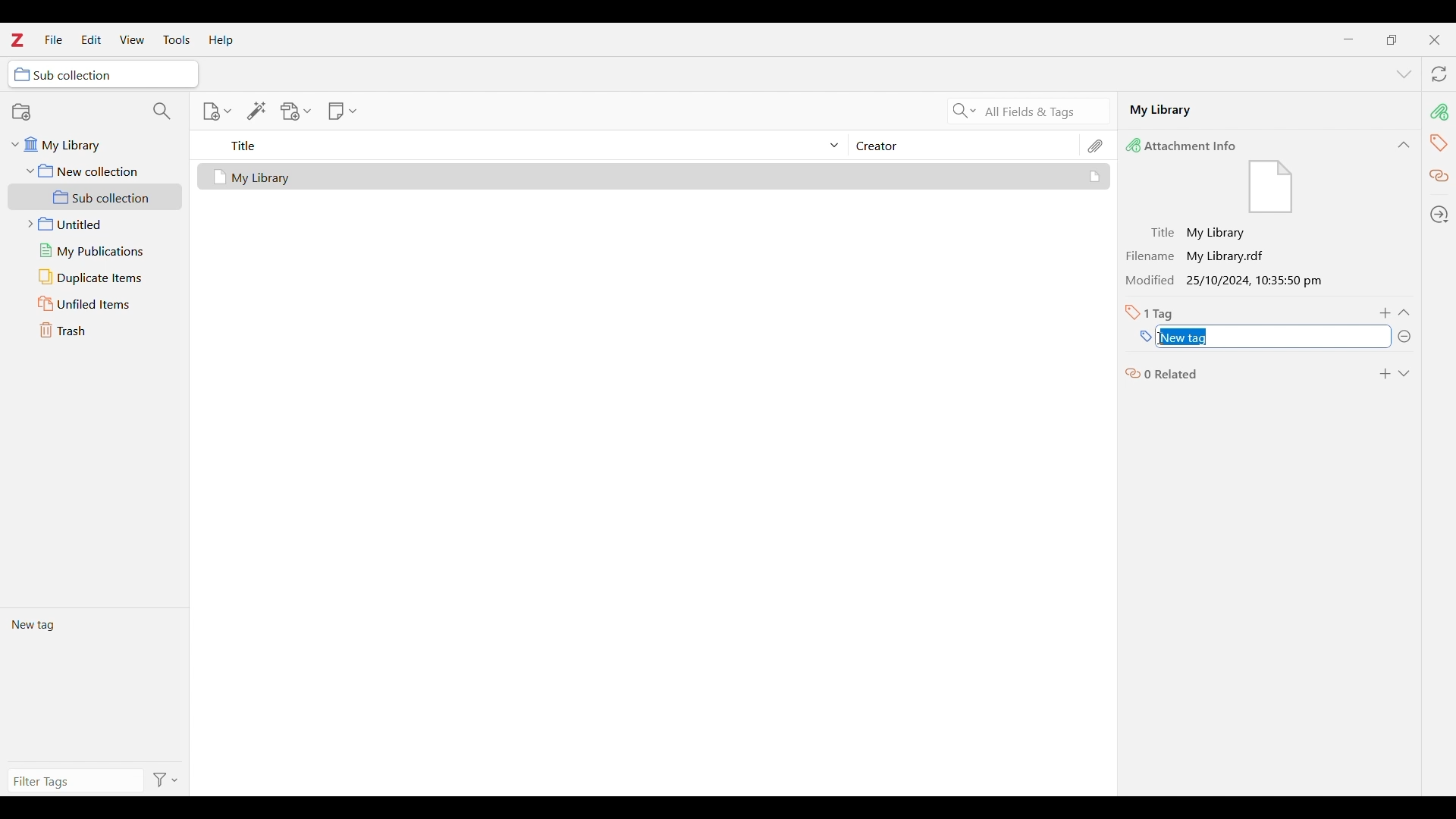 The image size is (1456, 819). What do you see at coordinates (177, 39) in the screenshot?
I see `Tools menu` at bounding box center [177, 39].